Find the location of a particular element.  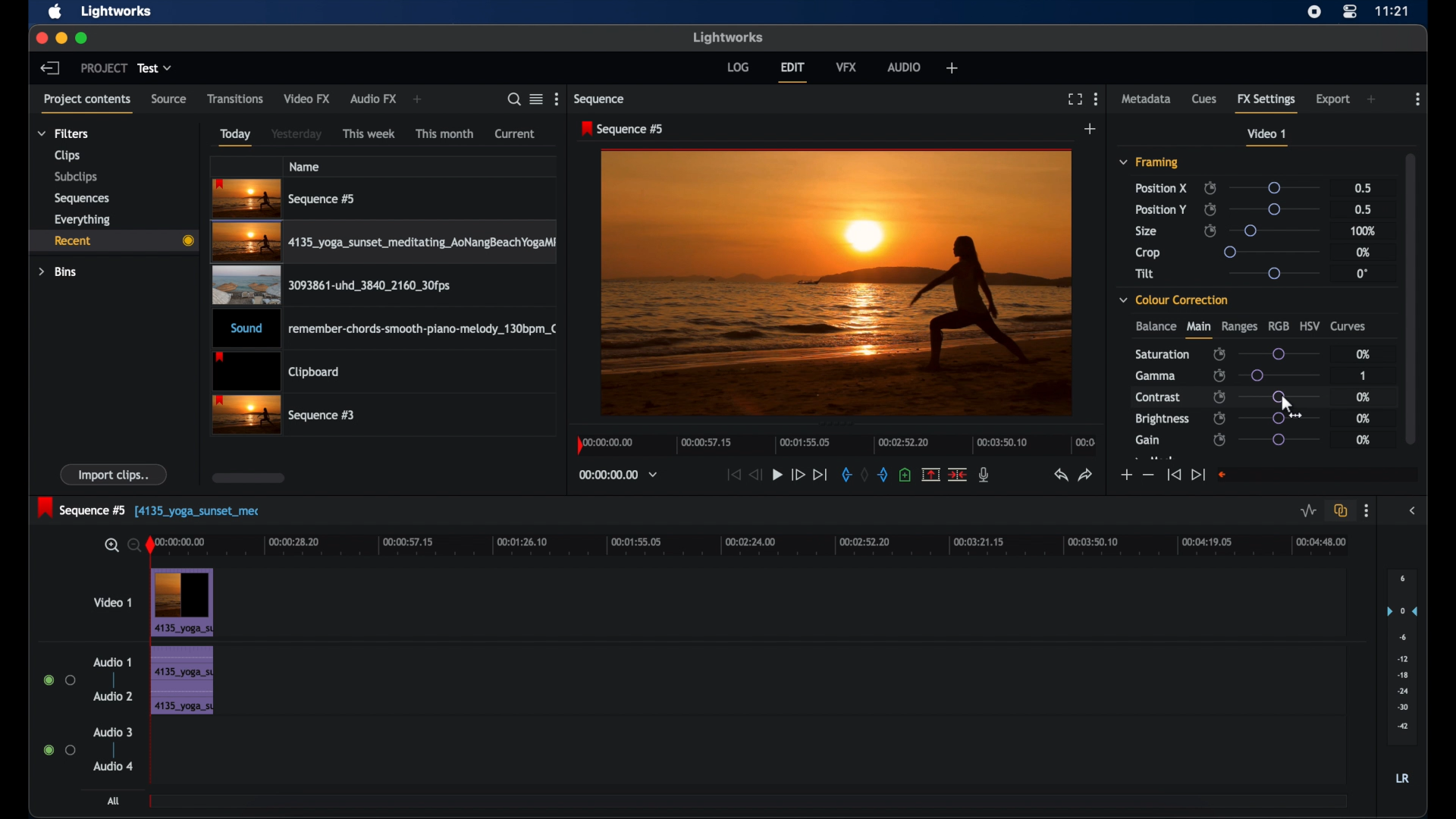

increment is located at coordinates (1125, 475).